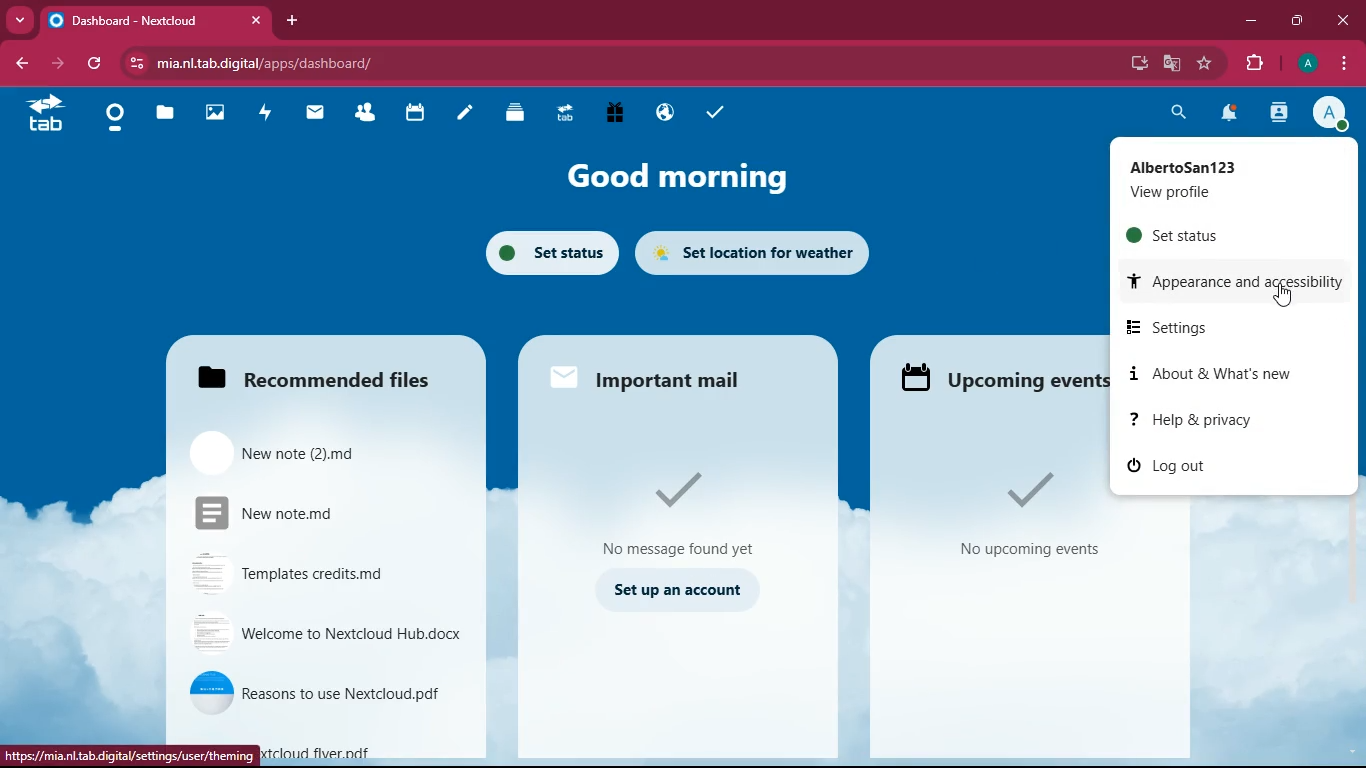  What do you see at coordinates (1333, 114) in the screenshot?
I see `profile` at bounding box center [1333, 114].